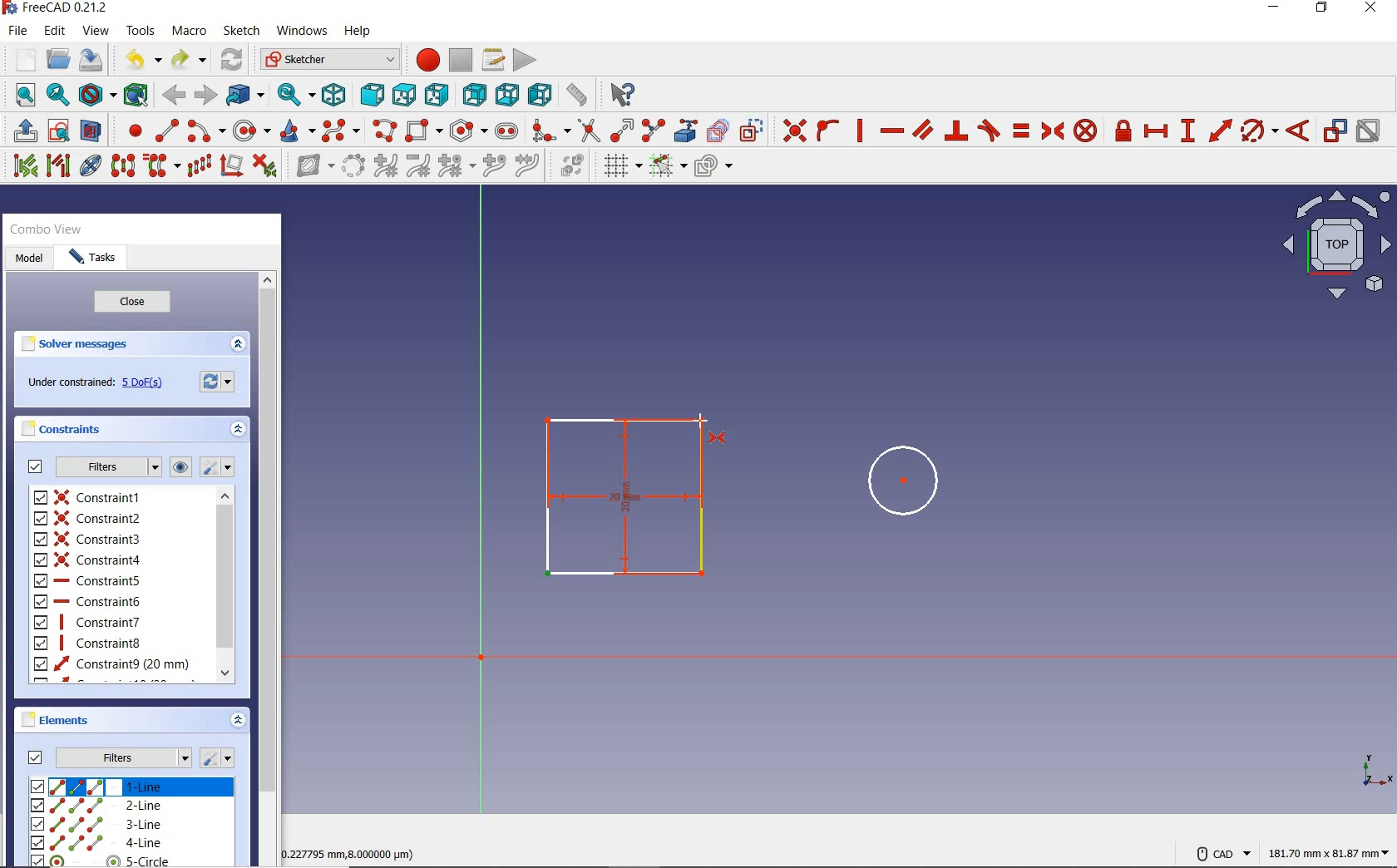 The width and height of the screenshot is (1397, 868). Describe the element at coordinates (343, 130) in the screenshot. I see `create B-spline` at that location.